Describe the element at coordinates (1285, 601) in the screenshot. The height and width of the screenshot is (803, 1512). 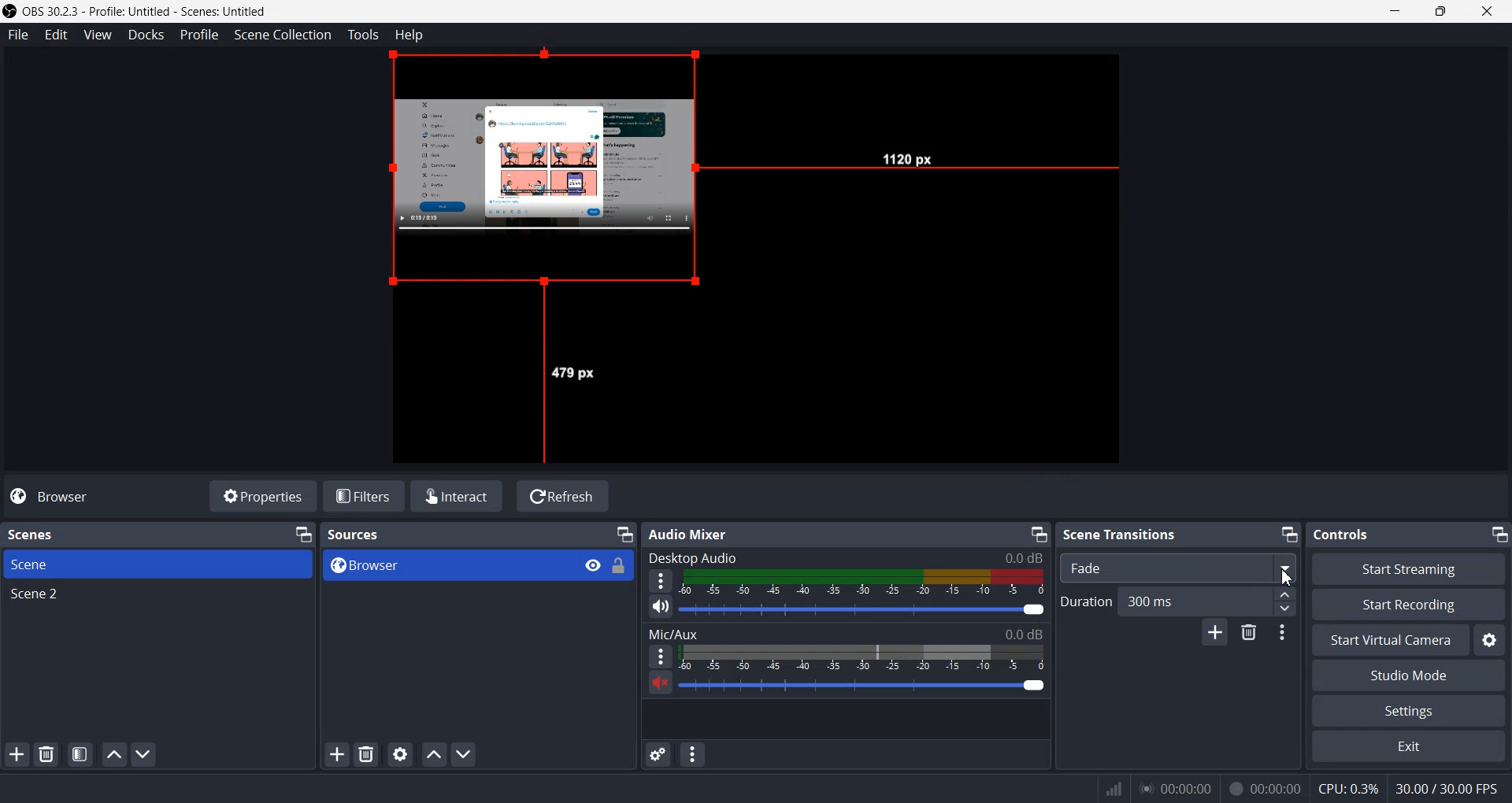
I see `Duration adjuster` at that location.